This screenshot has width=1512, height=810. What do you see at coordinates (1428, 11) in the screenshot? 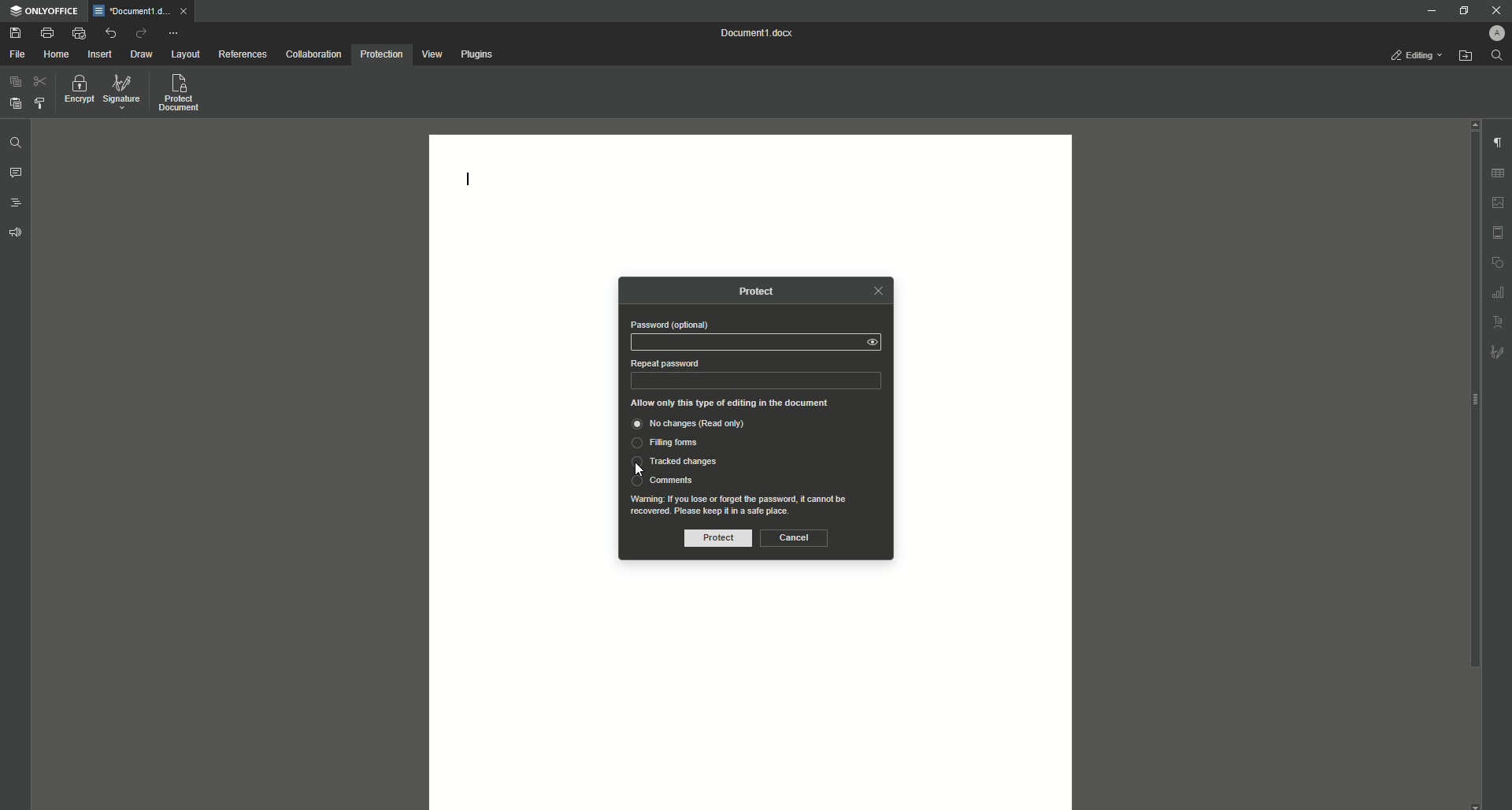
I see `Minimize` at bounding box center [1428, 11].